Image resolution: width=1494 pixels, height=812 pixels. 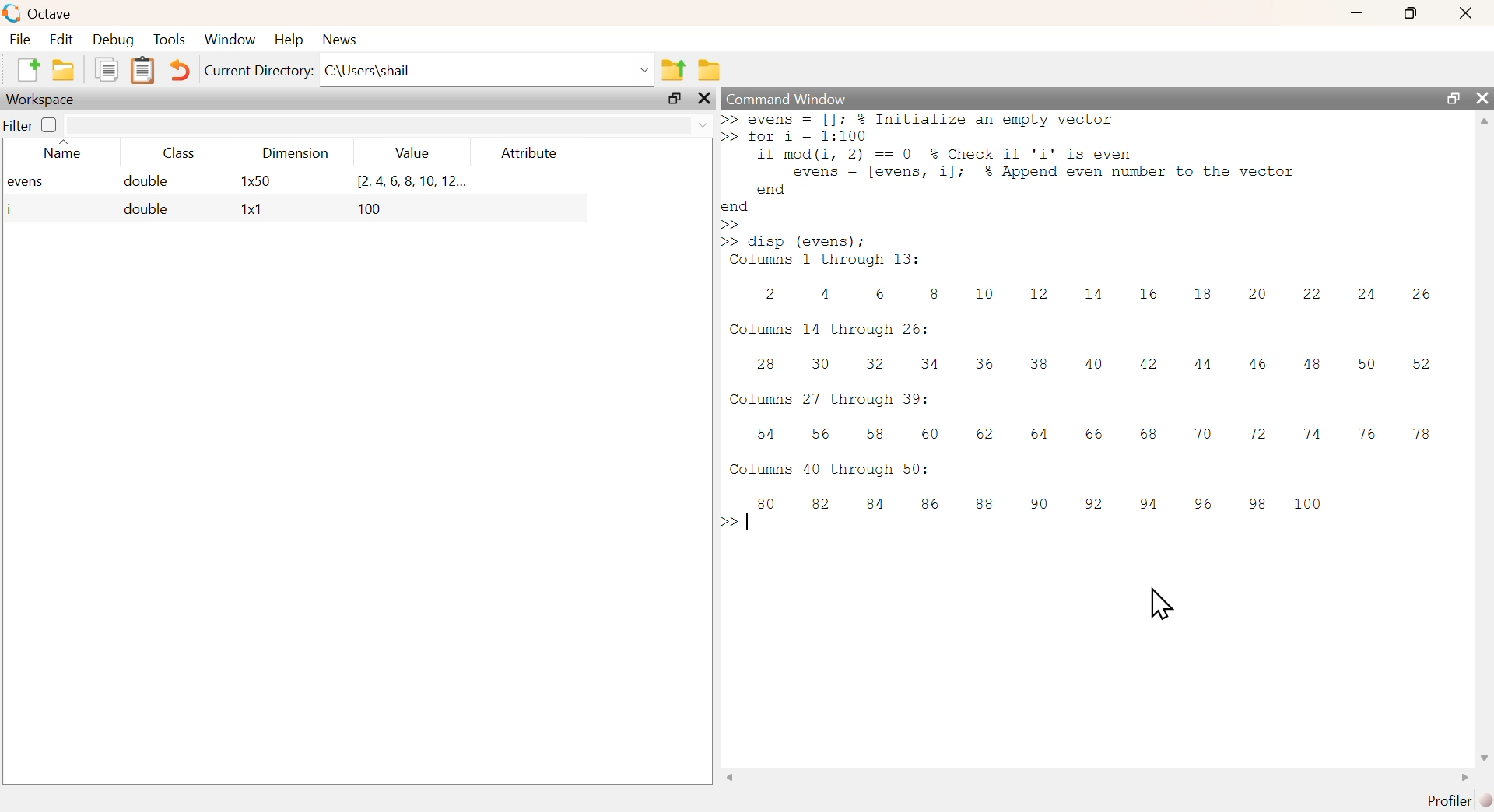 What do you see at coordinates (172, 38) in the screenshot?
I see `tools` at bounding box center [172, 38].